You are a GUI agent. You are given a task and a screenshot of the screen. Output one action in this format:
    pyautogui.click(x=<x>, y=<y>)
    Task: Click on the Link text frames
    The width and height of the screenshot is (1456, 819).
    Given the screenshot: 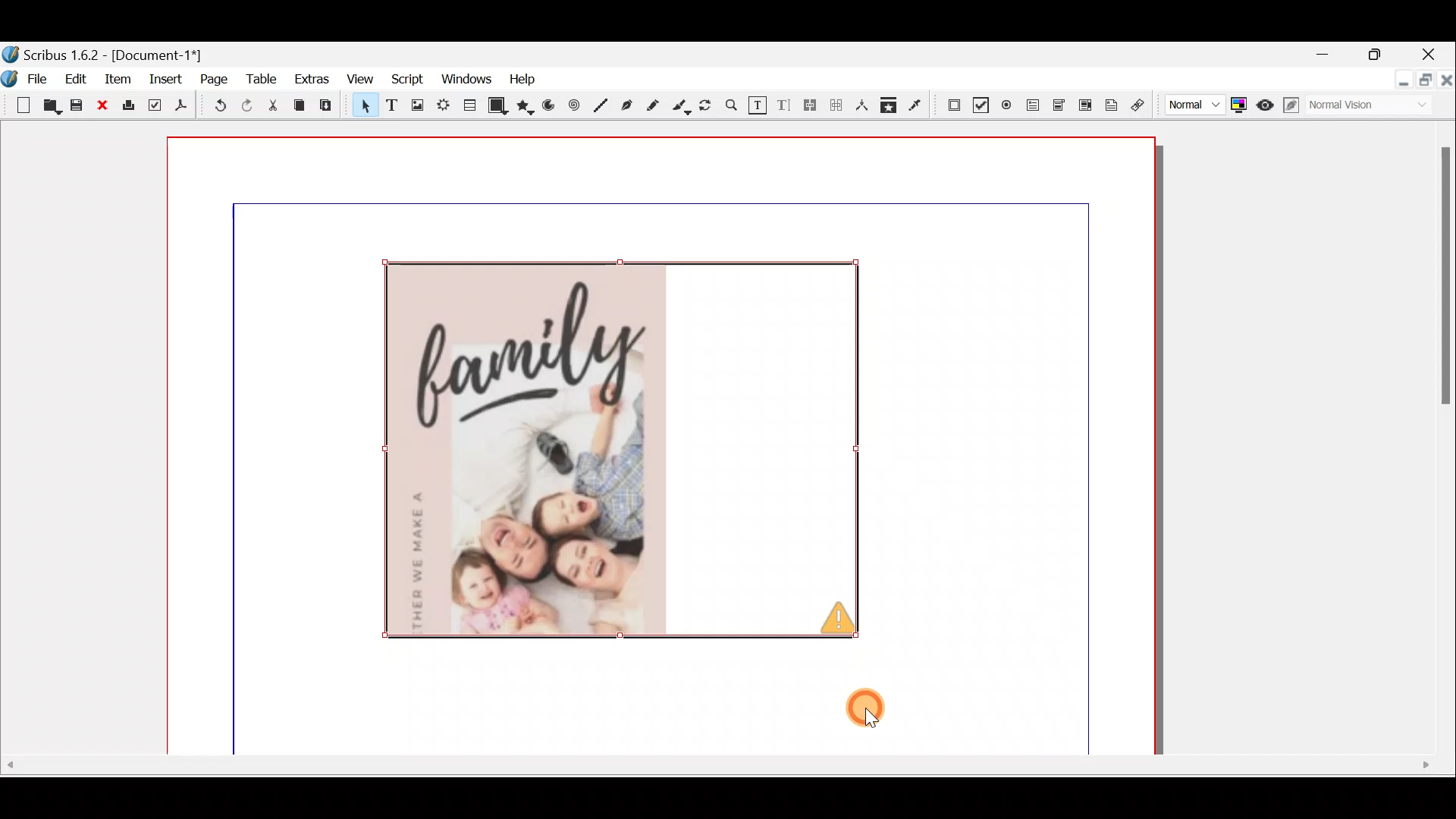 What is the action you would take?
    pyautogui.click(x=809, y=105)
    